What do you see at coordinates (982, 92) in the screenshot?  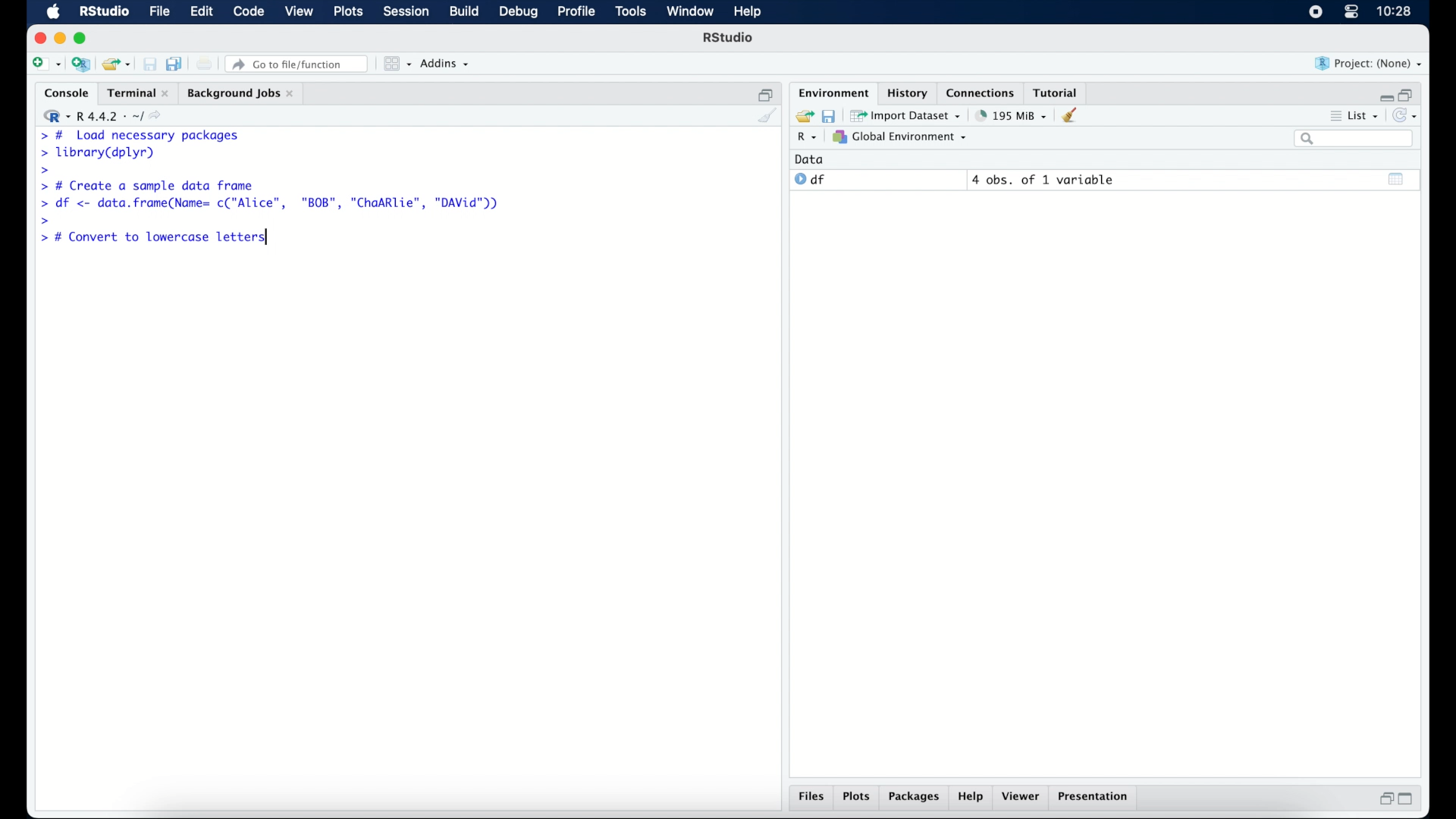 I see `connections` at bounding box center [982, 92].